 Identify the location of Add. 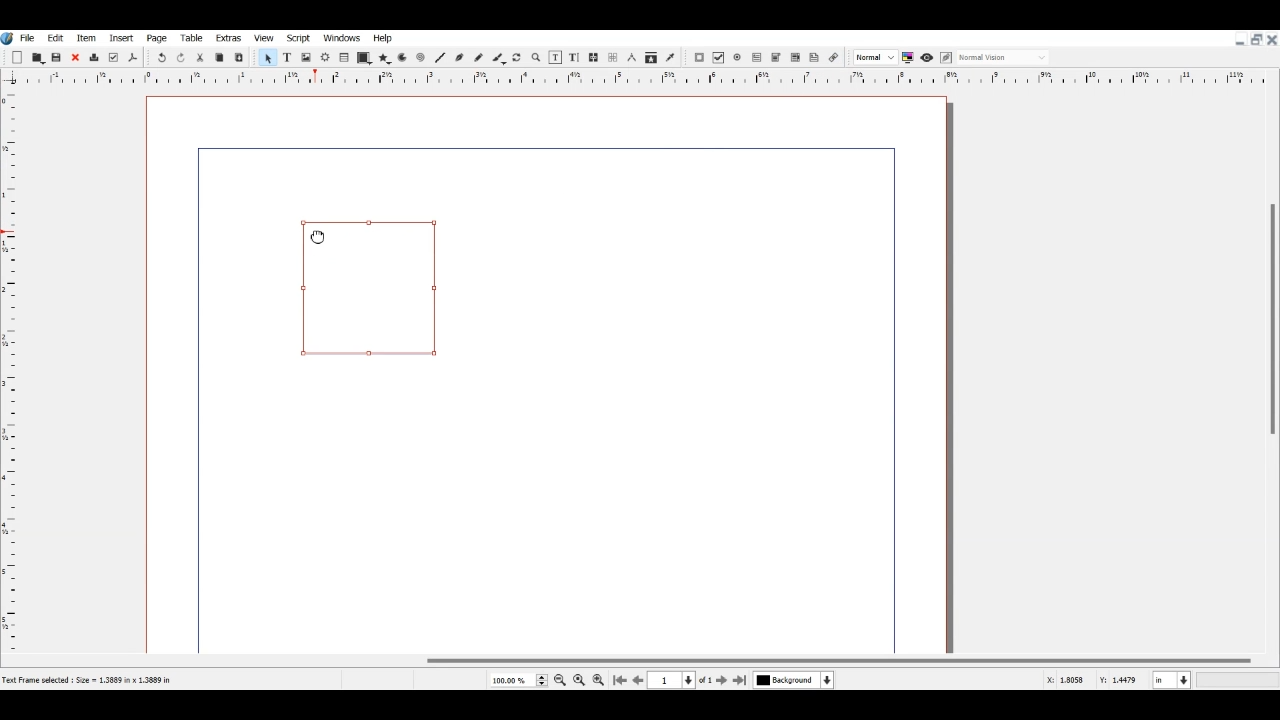
(17, 58).